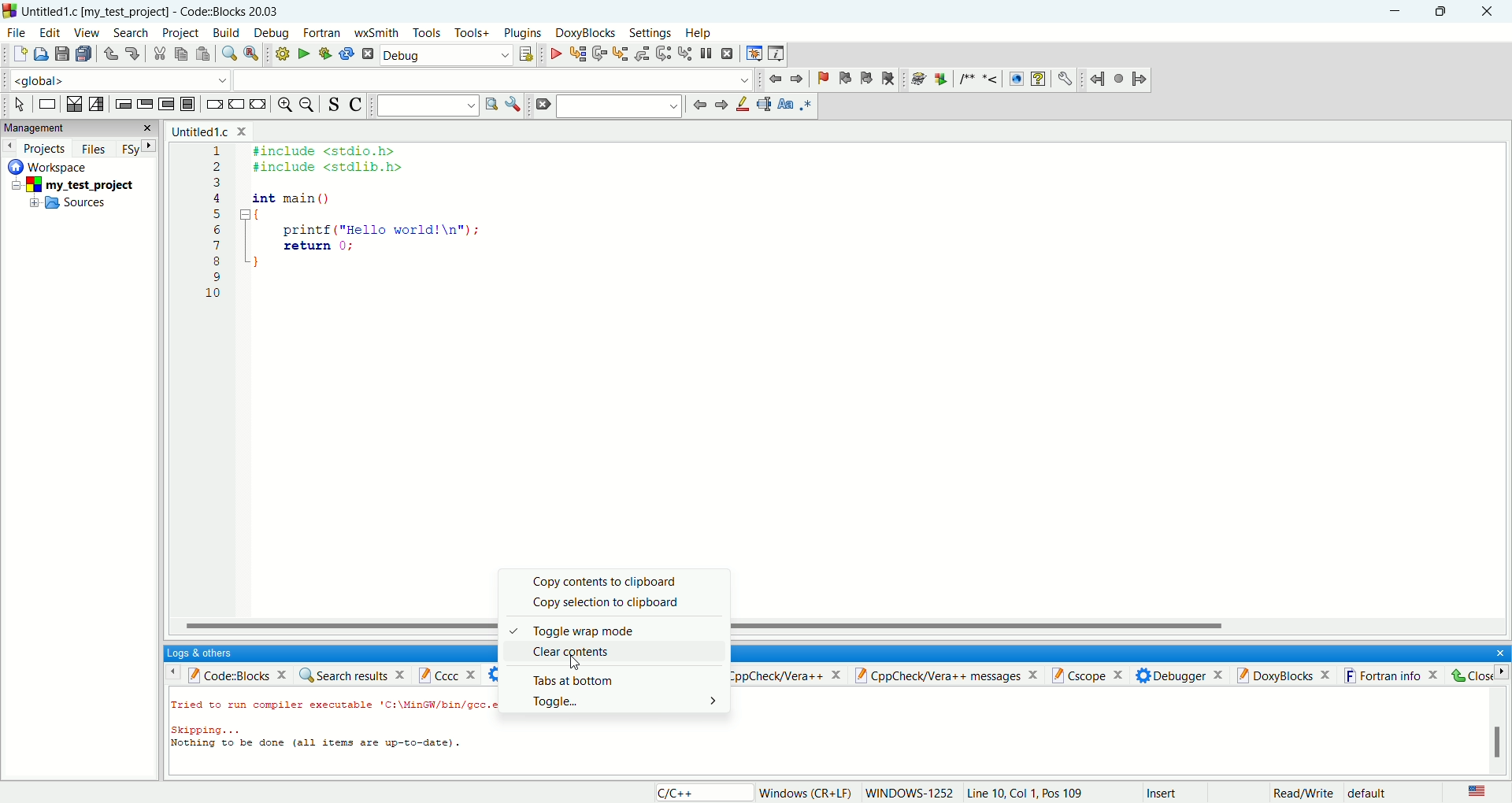 The width and height of the screenshot is (1512, 803). What do you see at coordinates (621, 105) in the screenshot?
I see `blank space` at bounding box center [621, 105].